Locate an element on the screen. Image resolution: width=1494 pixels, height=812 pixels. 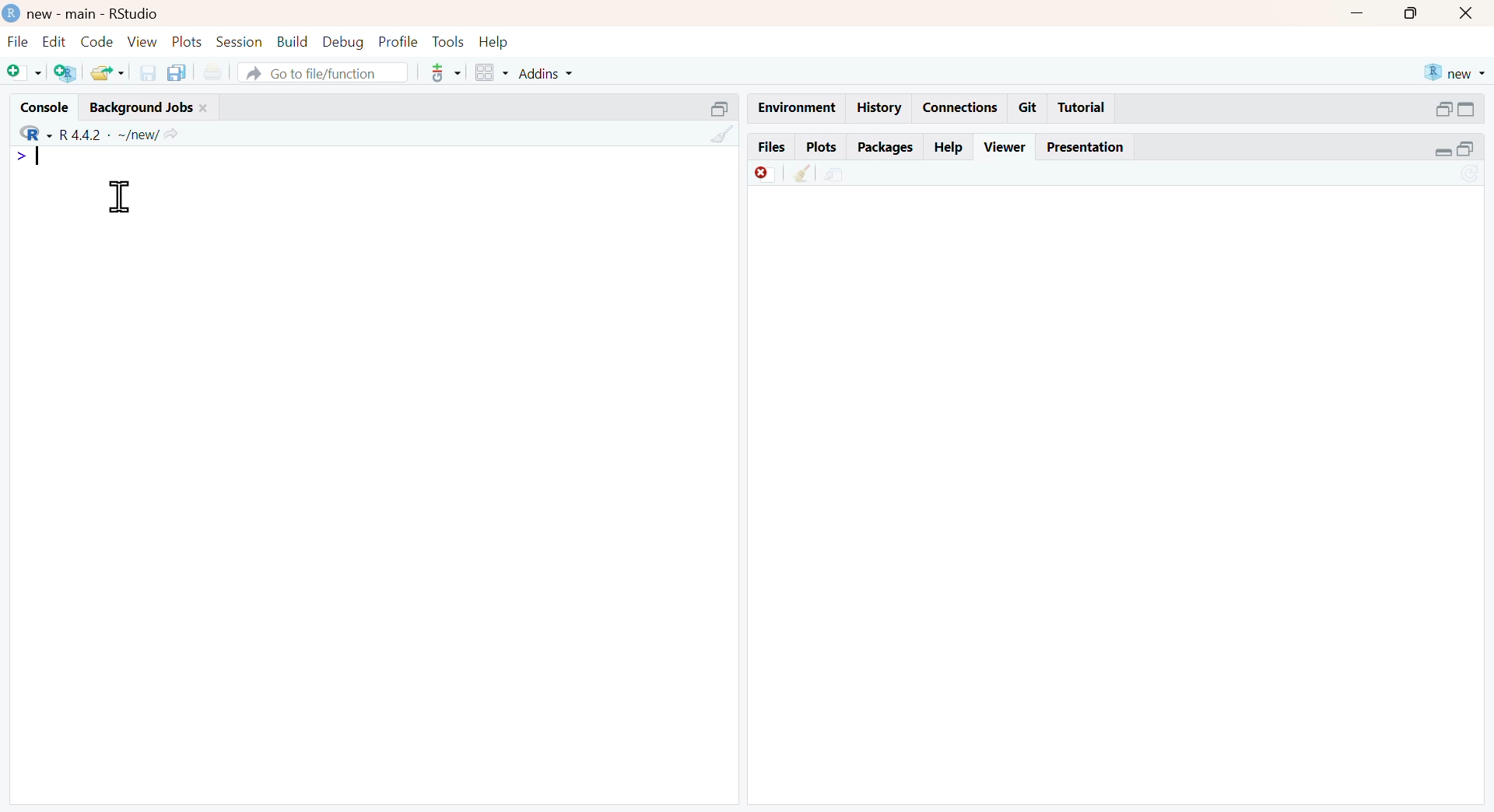
viewer is located at coordinates (1007, 147).